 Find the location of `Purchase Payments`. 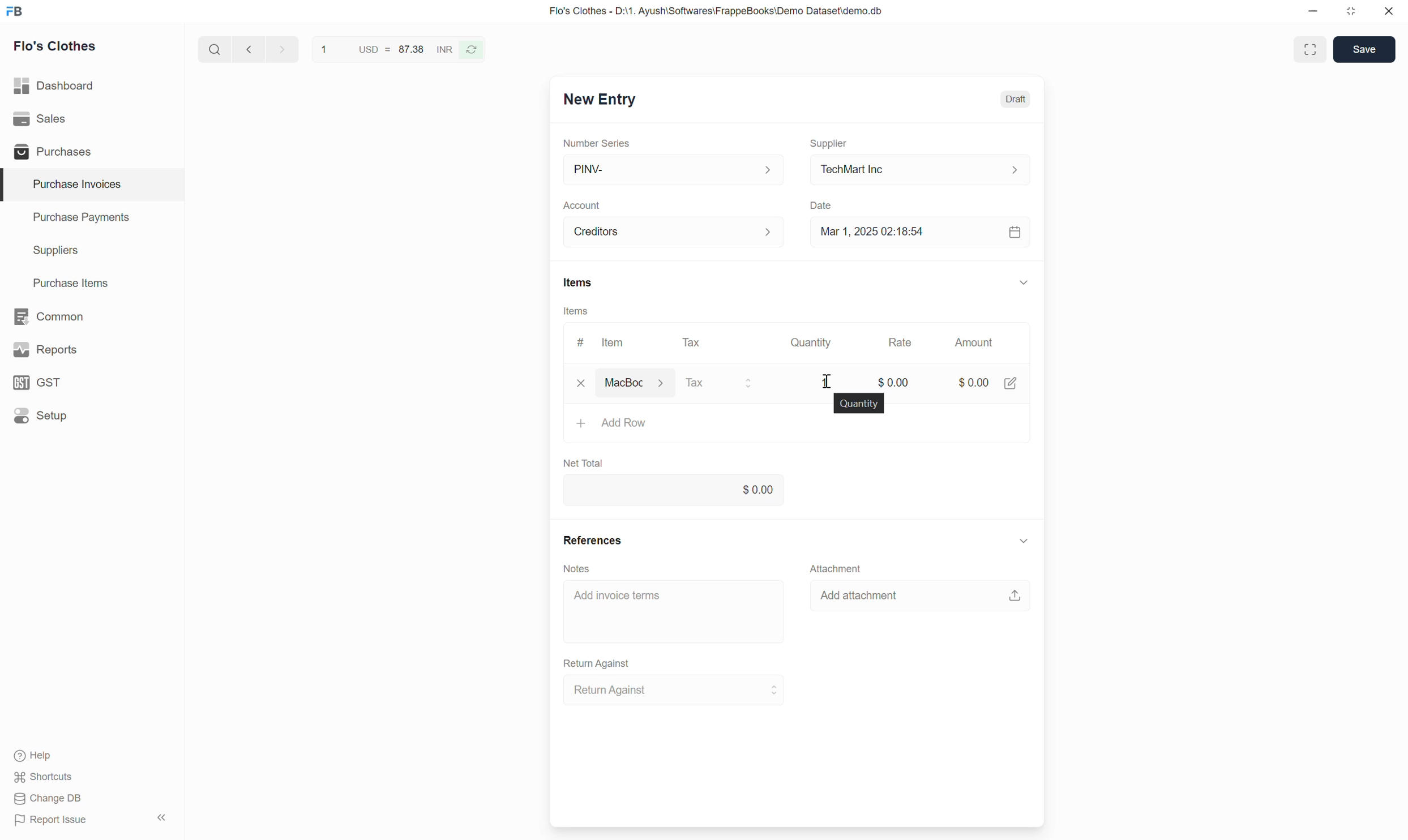

Purchase Payments is located at coordinates (92, 218).